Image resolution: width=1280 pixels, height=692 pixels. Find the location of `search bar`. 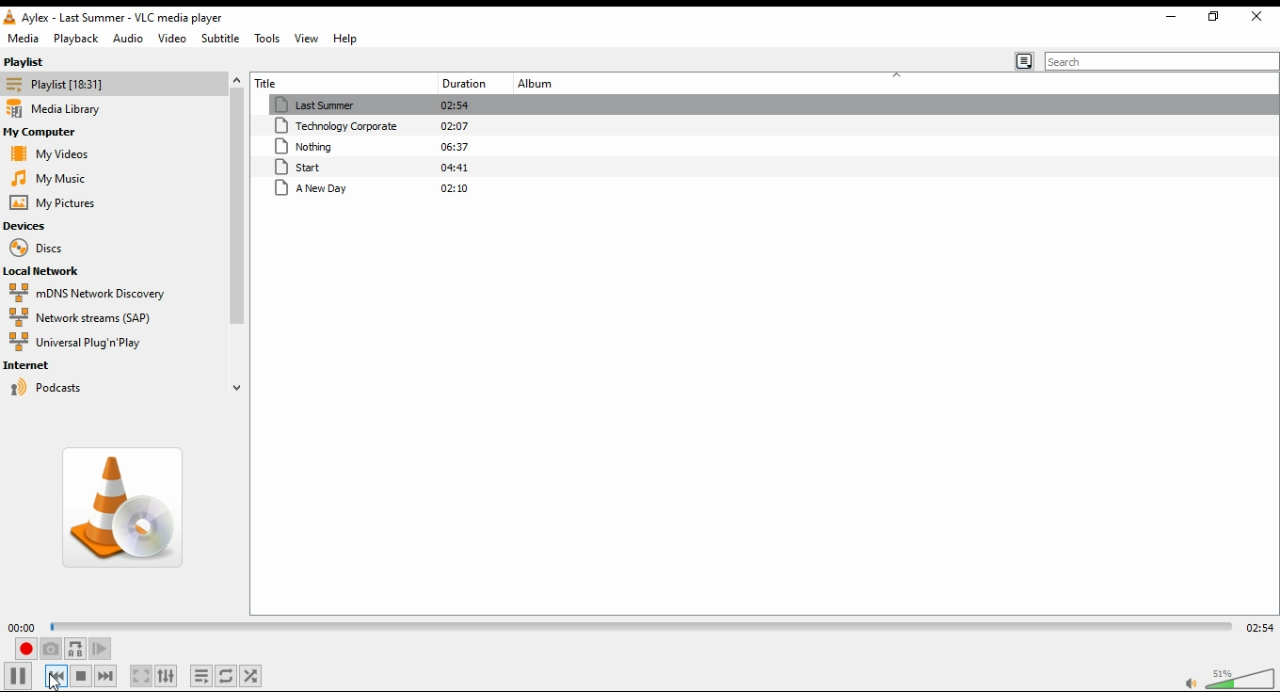

search bar is located at coordinates (1162, 61).